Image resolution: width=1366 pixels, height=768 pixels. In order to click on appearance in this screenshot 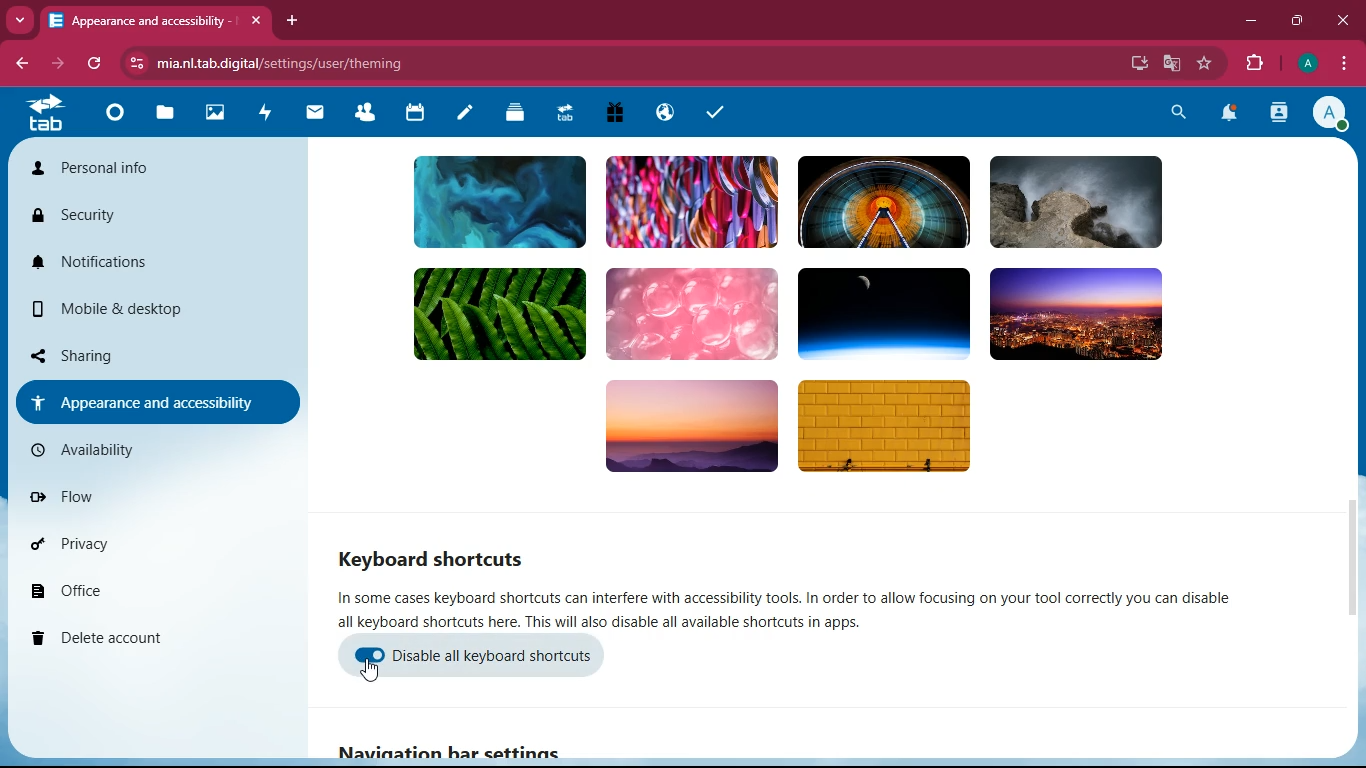, I will do `click(150, 403)`.